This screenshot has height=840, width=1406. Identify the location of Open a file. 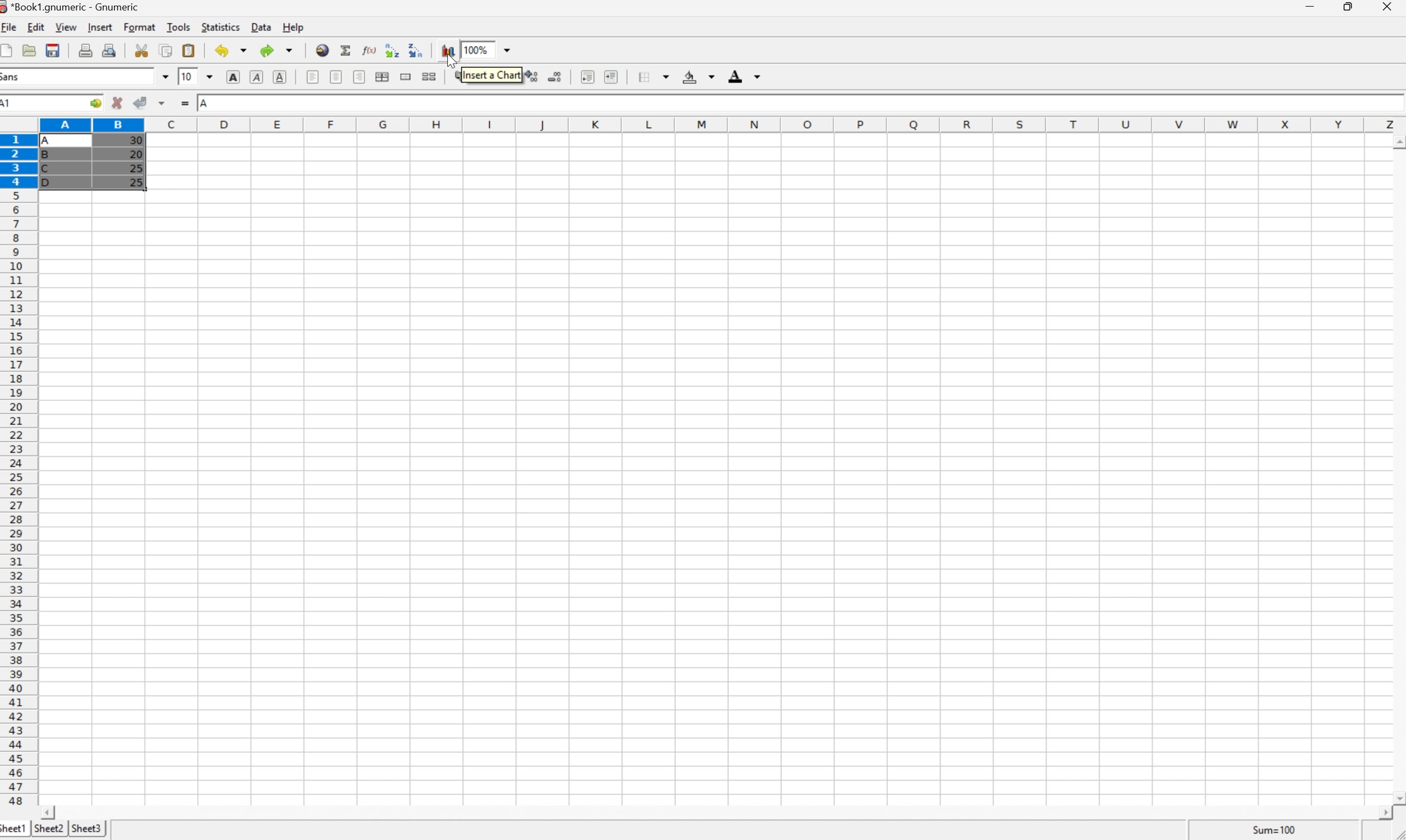
(29, 50).